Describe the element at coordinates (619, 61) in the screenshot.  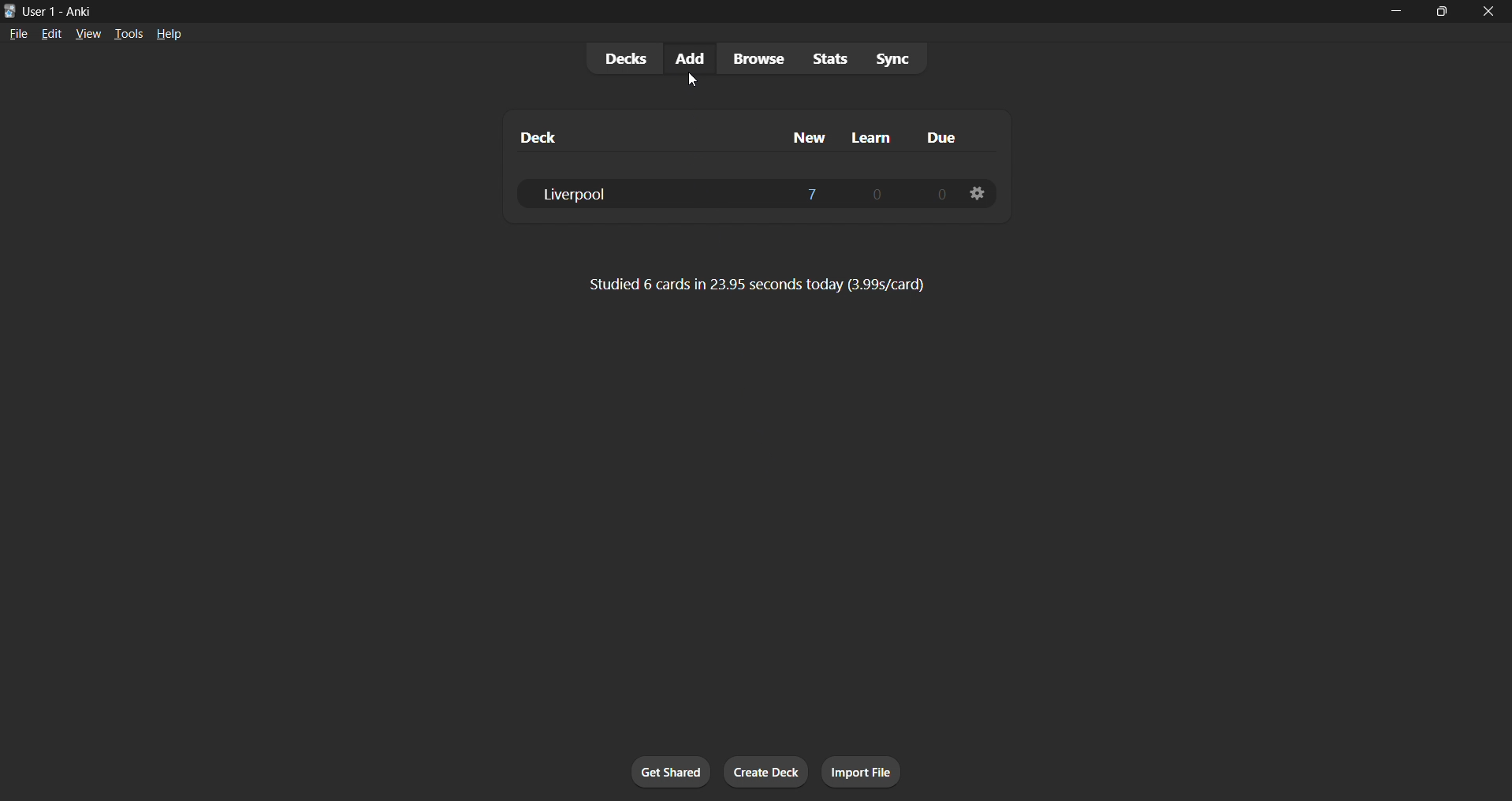
I see `decks` at that location.